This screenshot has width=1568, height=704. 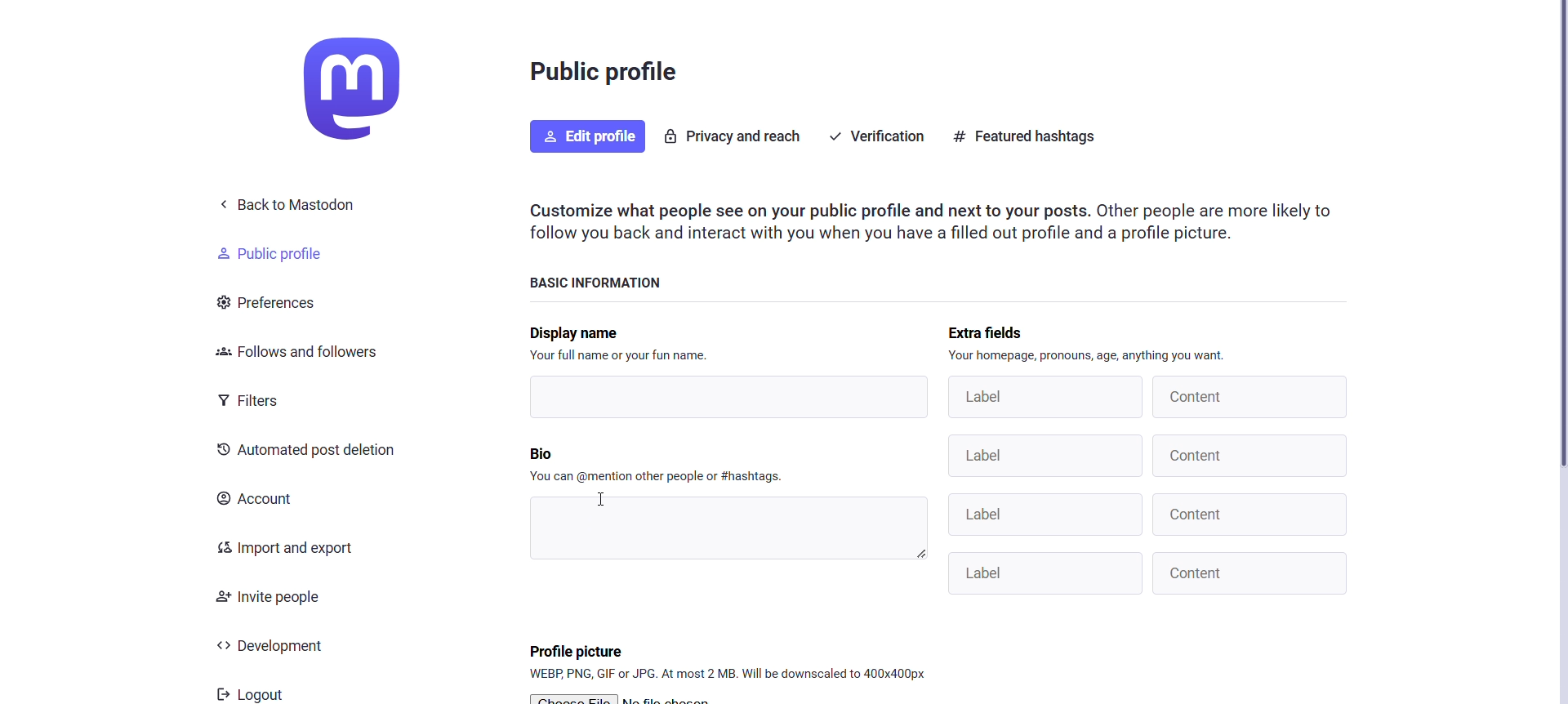 What do you see at coordinates (1043, 397) in the screenshot?
I see `Label` at bounding box center [1043, 397].